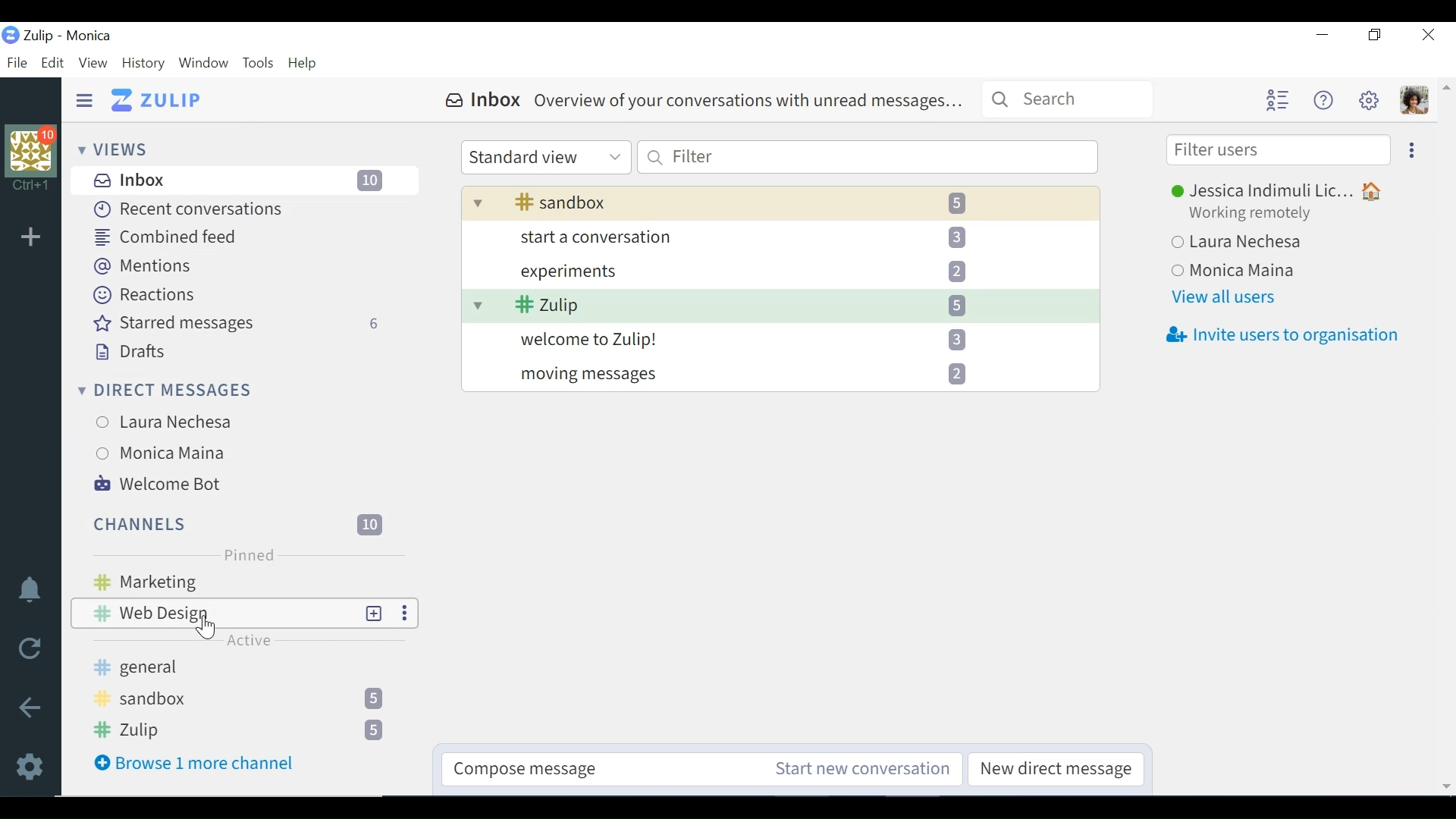  Describe the element at coordinates (1427, 35) in the screenshot. I see `Close` at that location.